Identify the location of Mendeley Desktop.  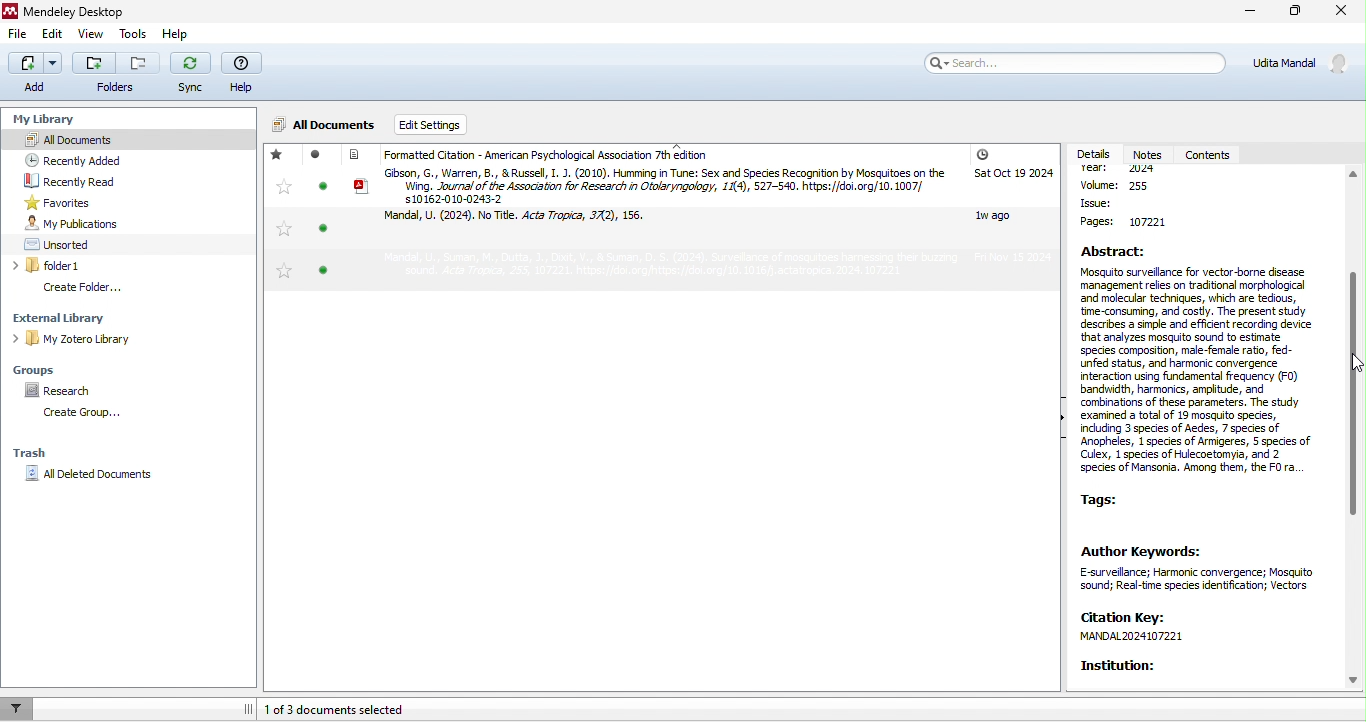
(68, 12).